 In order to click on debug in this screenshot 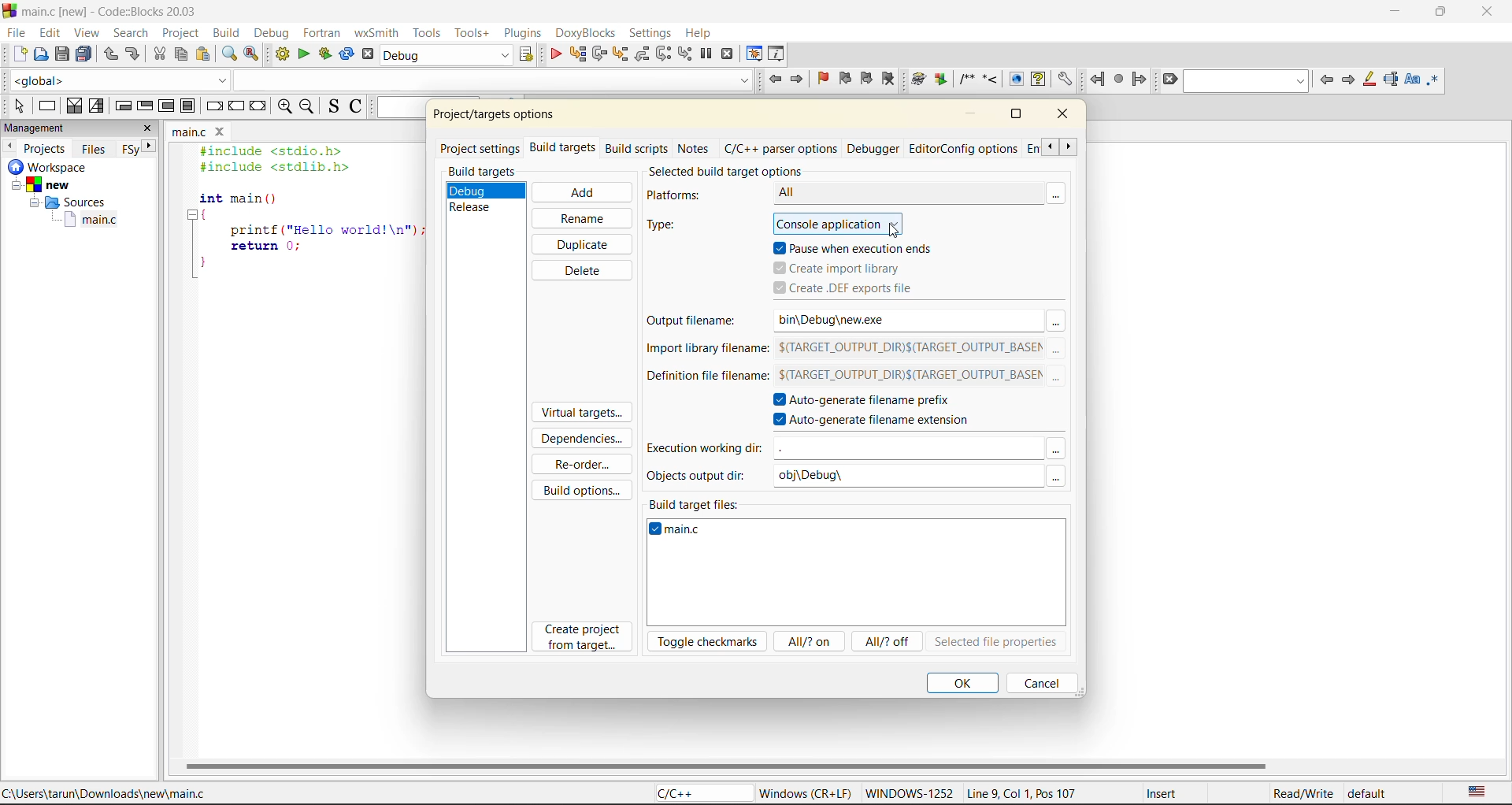, I will do `click(273, 32)`.